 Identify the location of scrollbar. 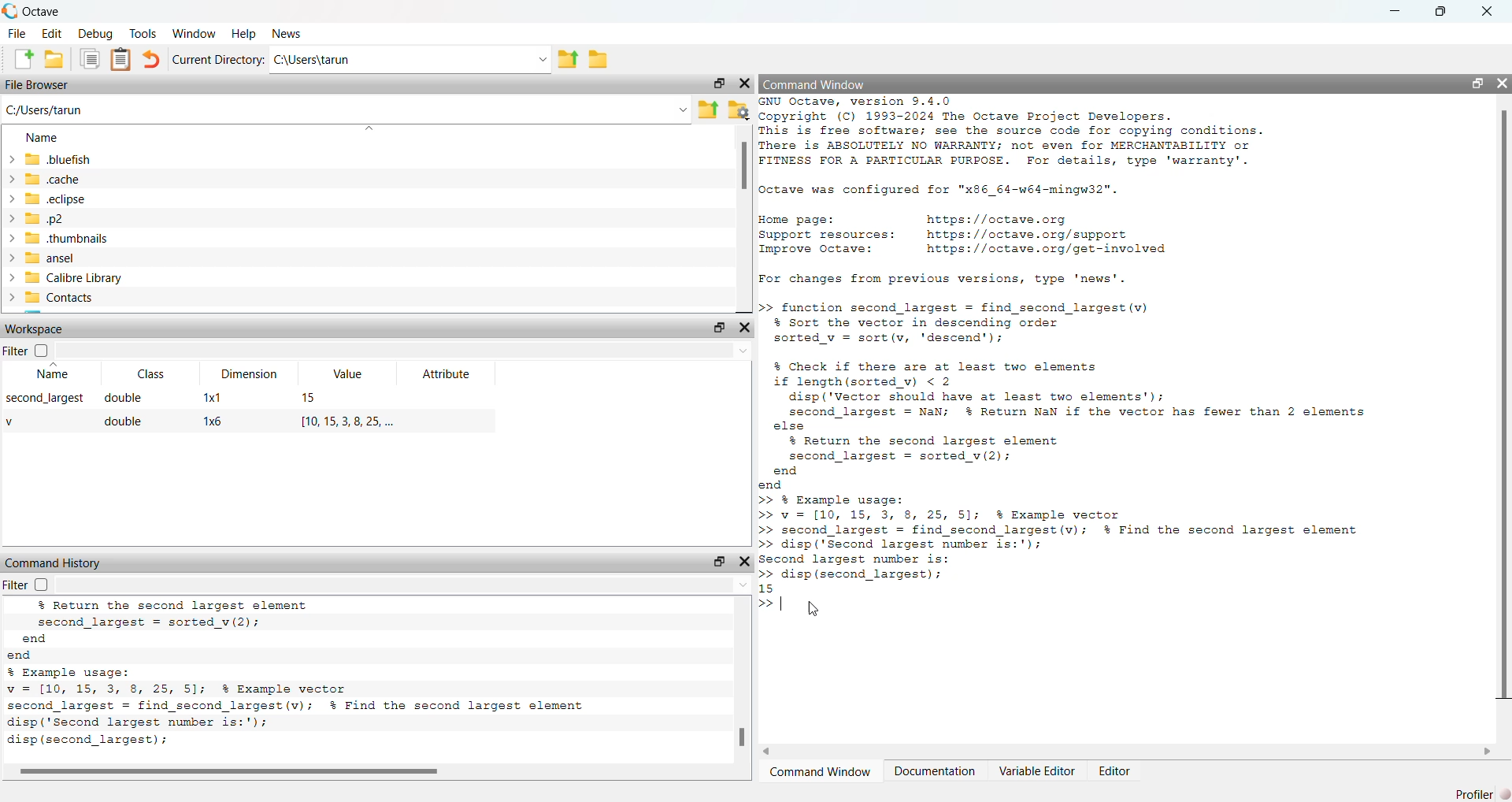
(1502, 405).